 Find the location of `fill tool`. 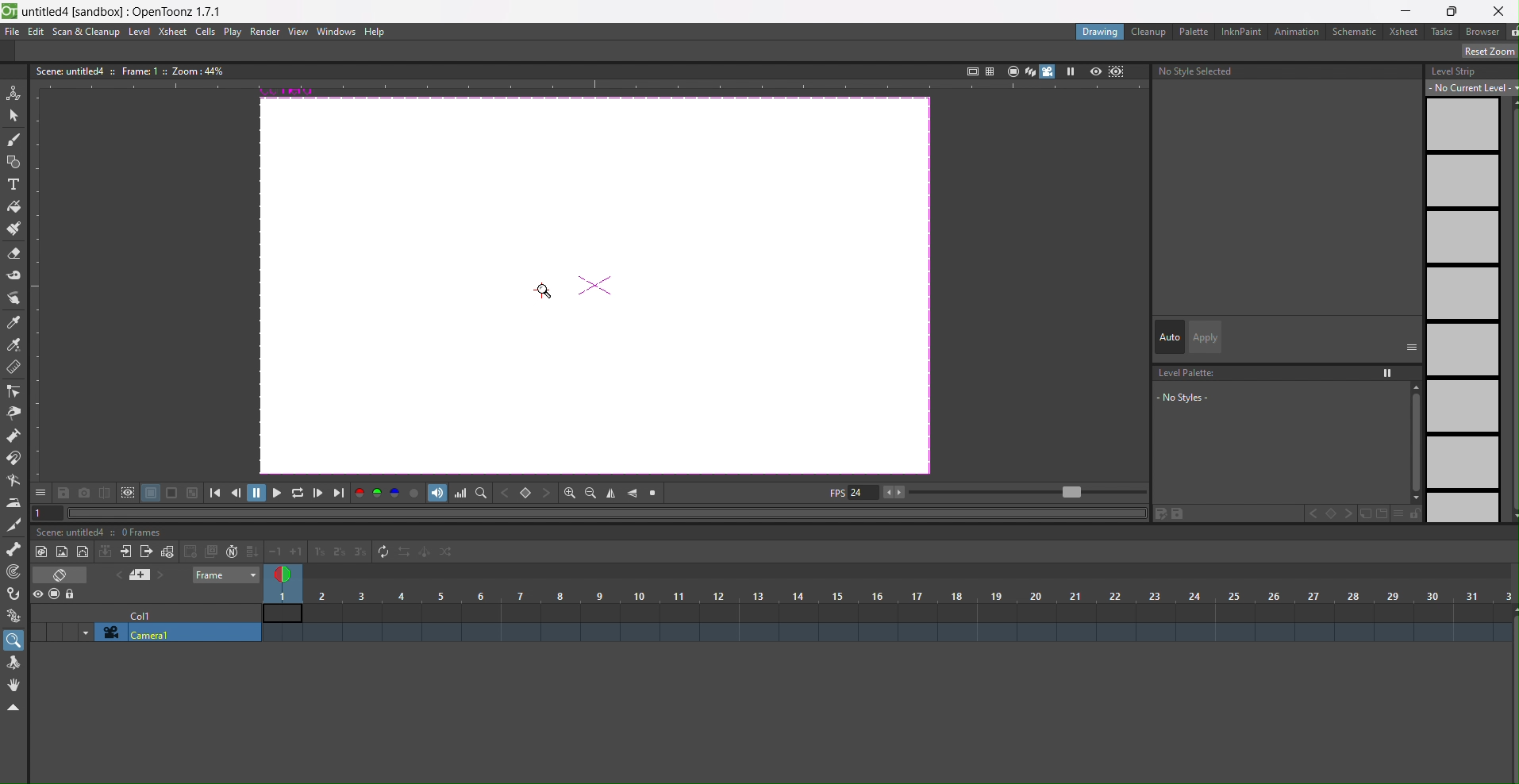

fill tool is located at coordinates (16, 204).